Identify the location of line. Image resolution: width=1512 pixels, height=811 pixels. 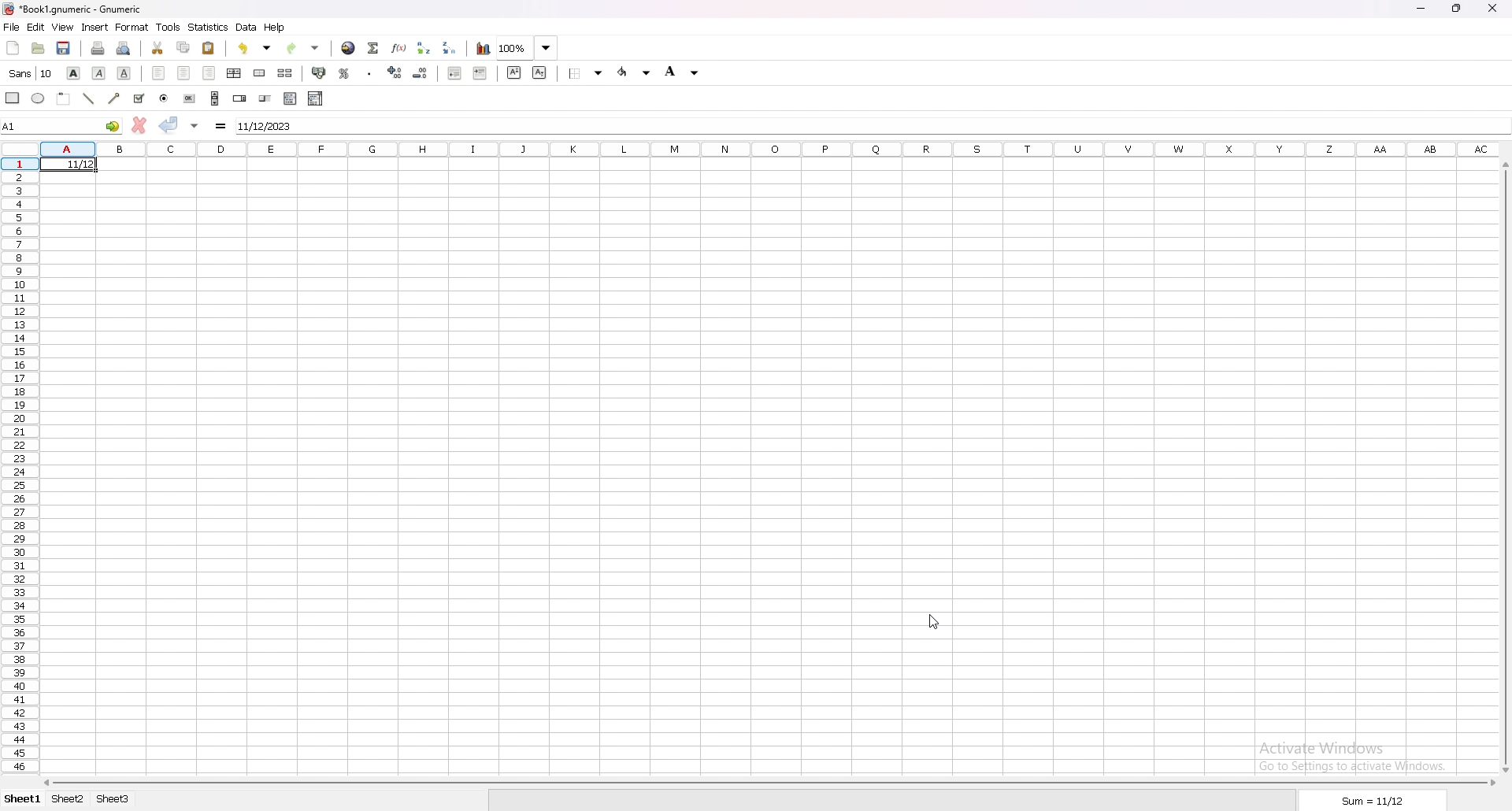
(87, 98).